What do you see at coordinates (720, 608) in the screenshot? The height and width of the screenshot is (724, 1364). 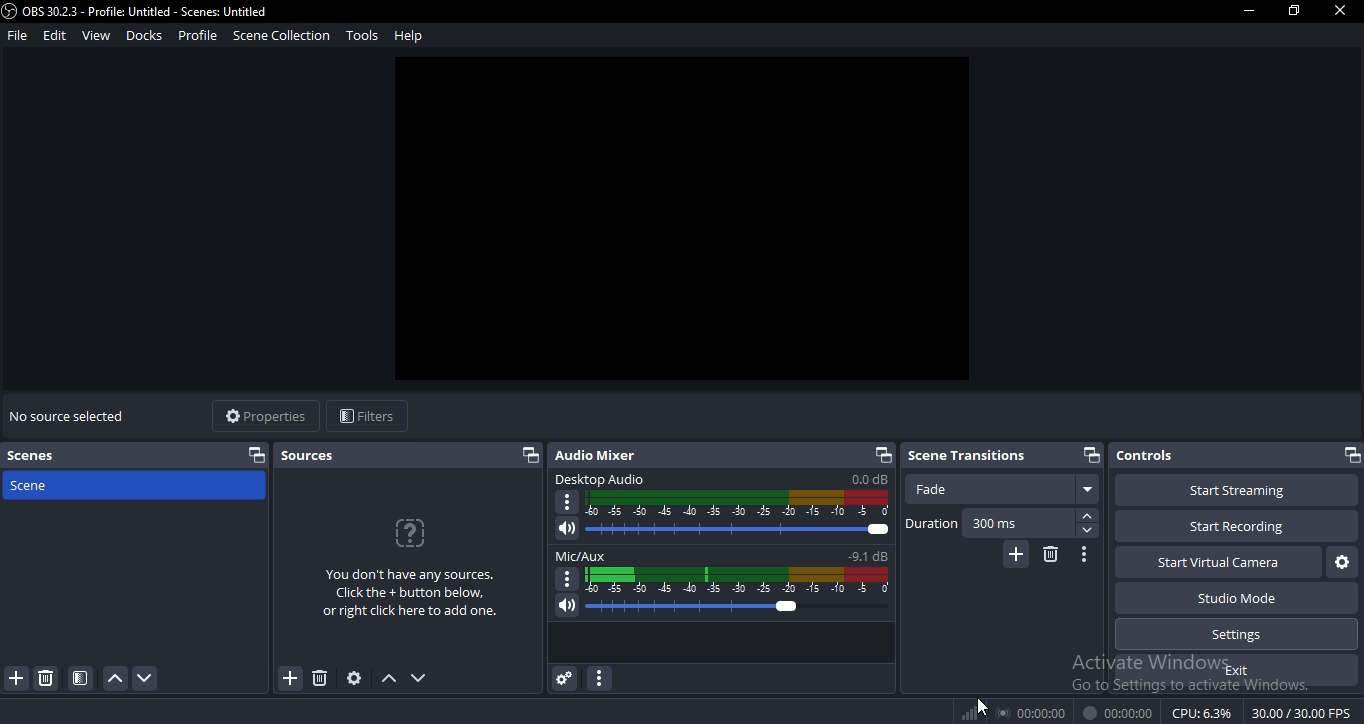 I see `slider` at bounding box center [720, 608].